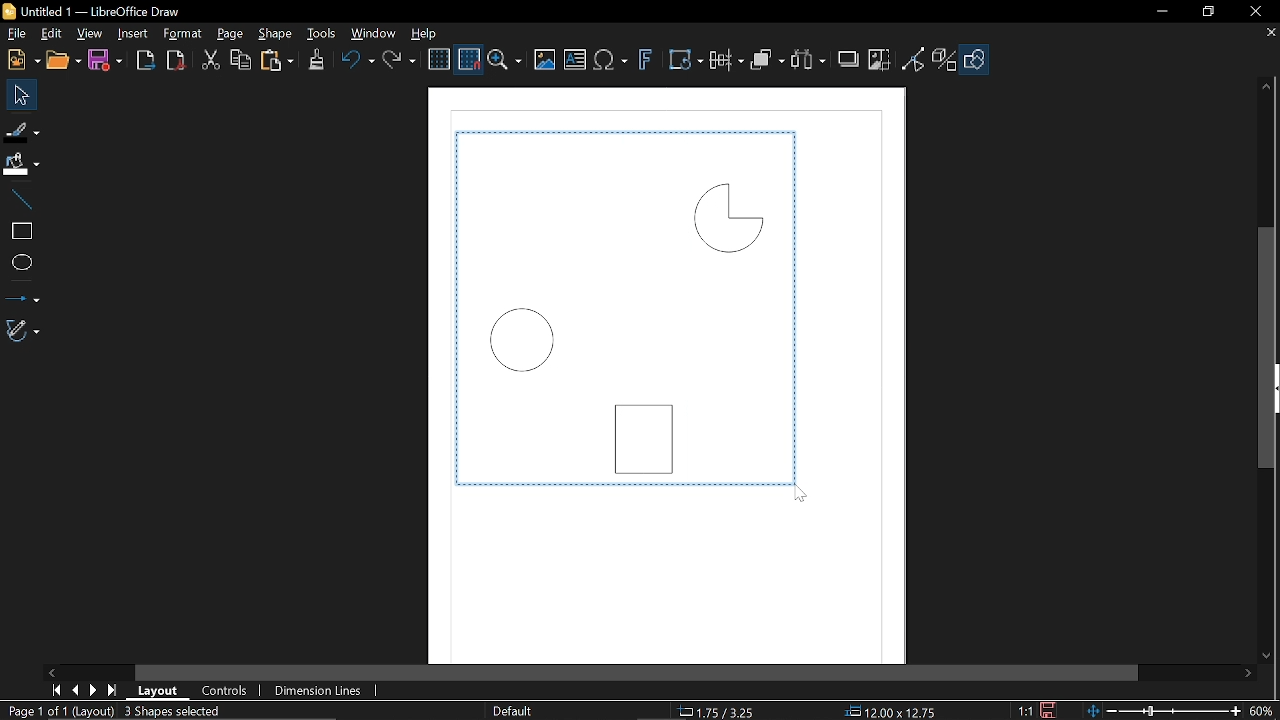 The image size is (1280, 720). I want to click on Shapes, so click(978, 60).